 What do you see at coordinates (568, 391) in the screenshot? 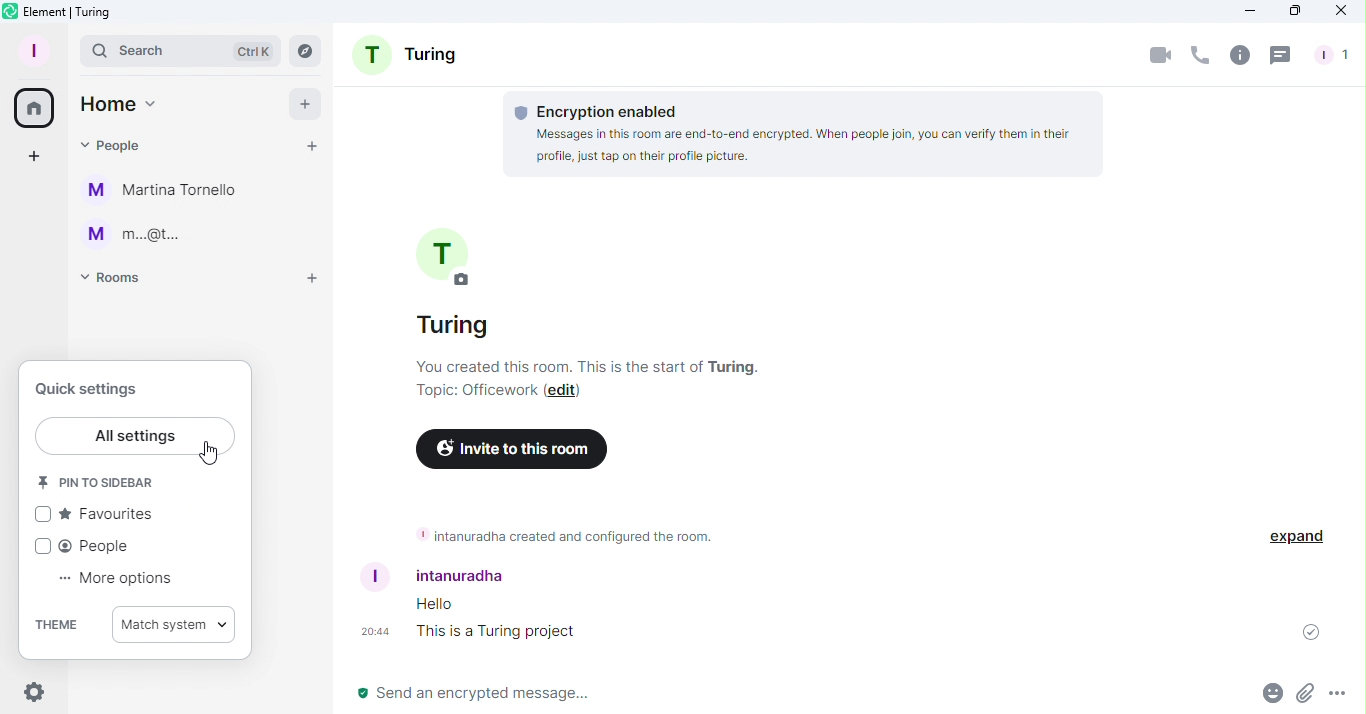
I see `Edit` at bounding box center [568, 391].